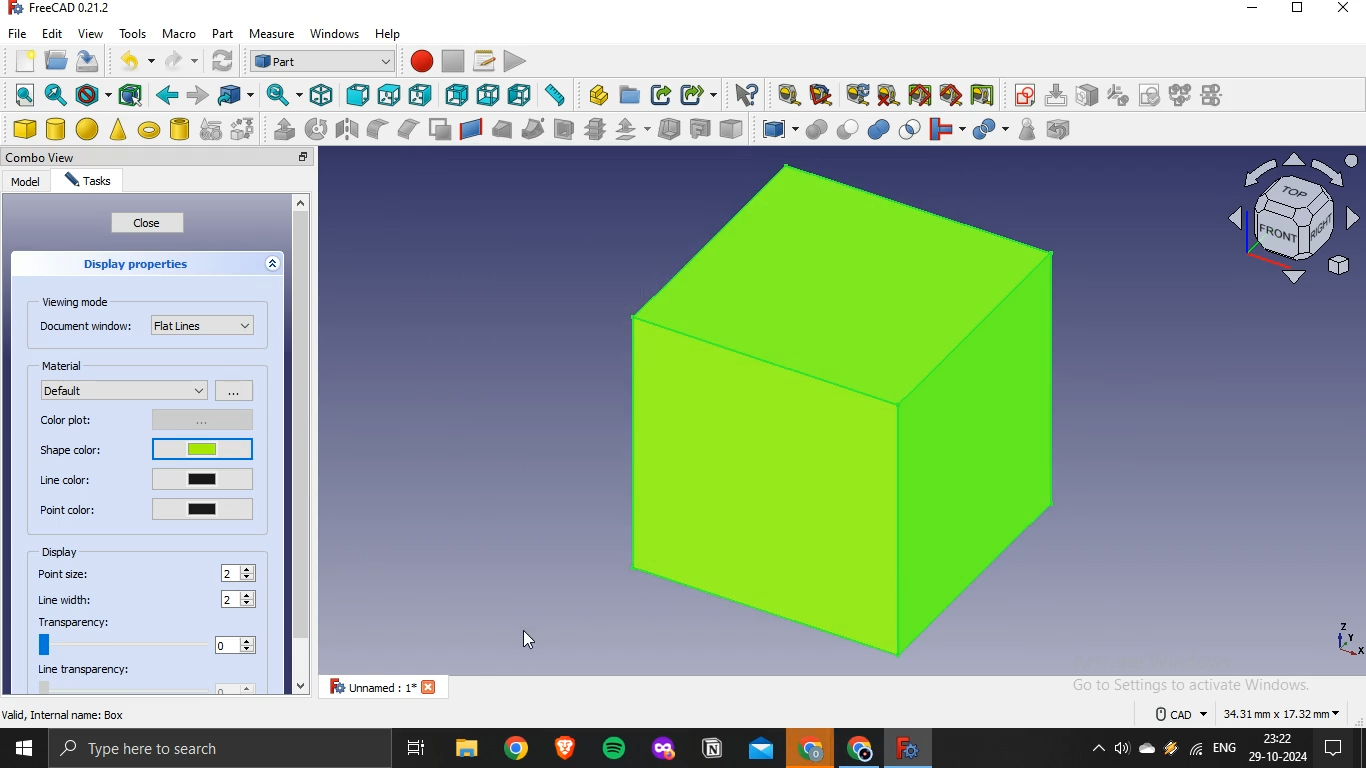 The image size is (1366, 768). I want to click on view, so click(90, 33).